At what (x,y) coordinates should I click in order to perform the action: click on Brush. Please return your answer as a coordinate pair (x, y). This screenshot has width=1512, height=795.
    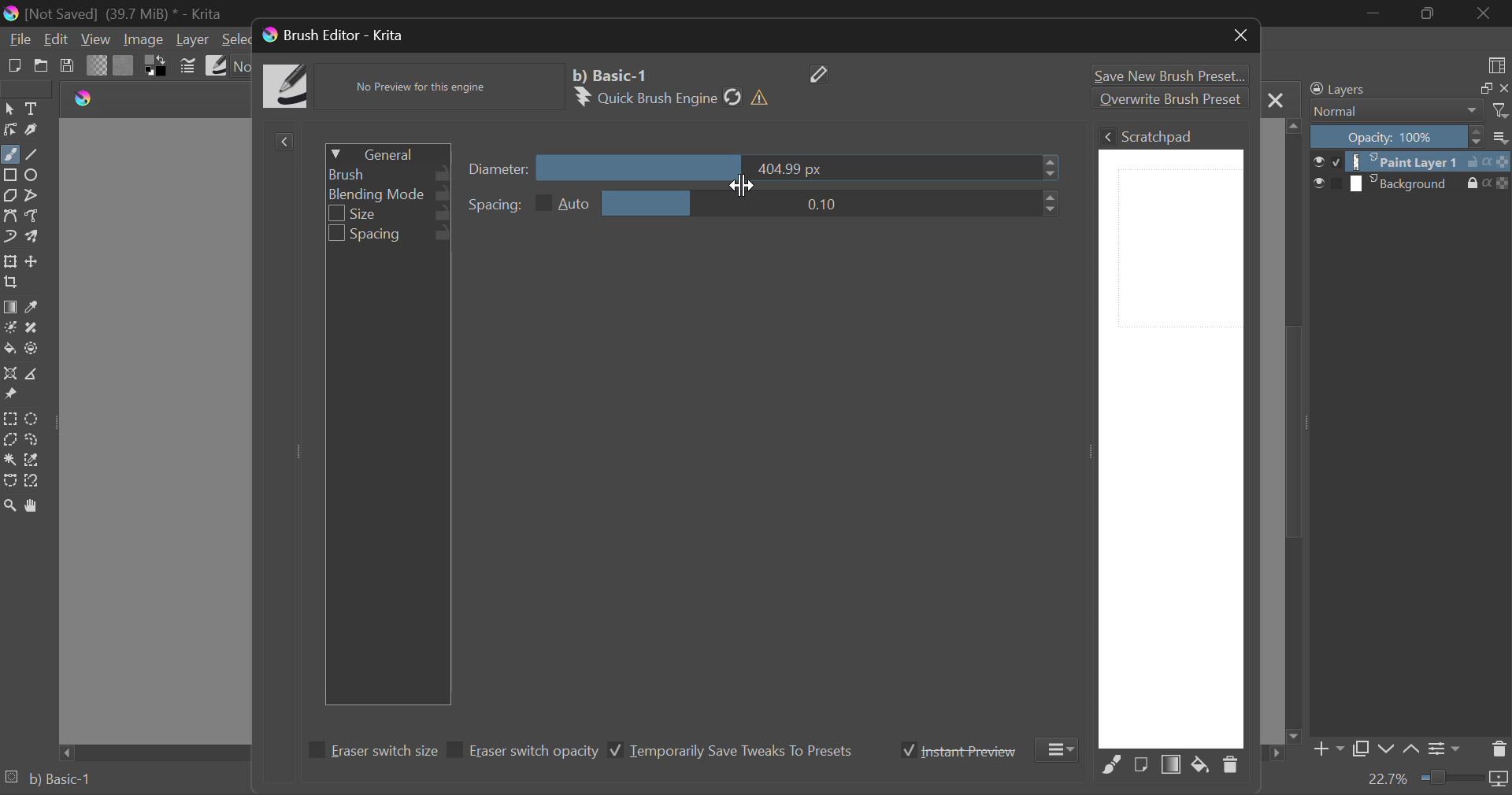
    Looking at the image, I should click on (387, 173).